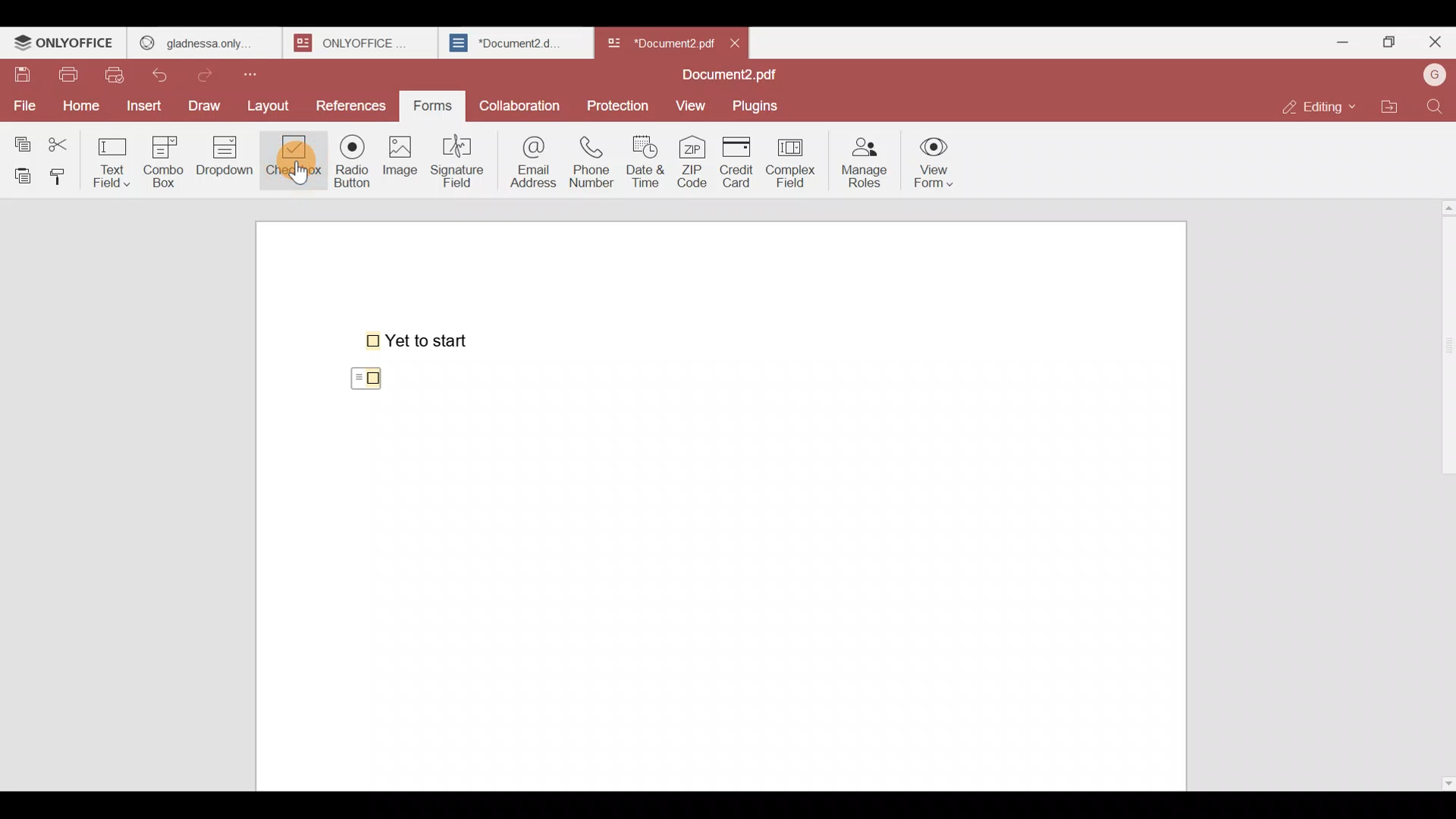 This screenshot has height=819, width=1456. What do you see at coordinates (24, 104) in the screenshot?
I see `File` at bounding box center [24, 104].